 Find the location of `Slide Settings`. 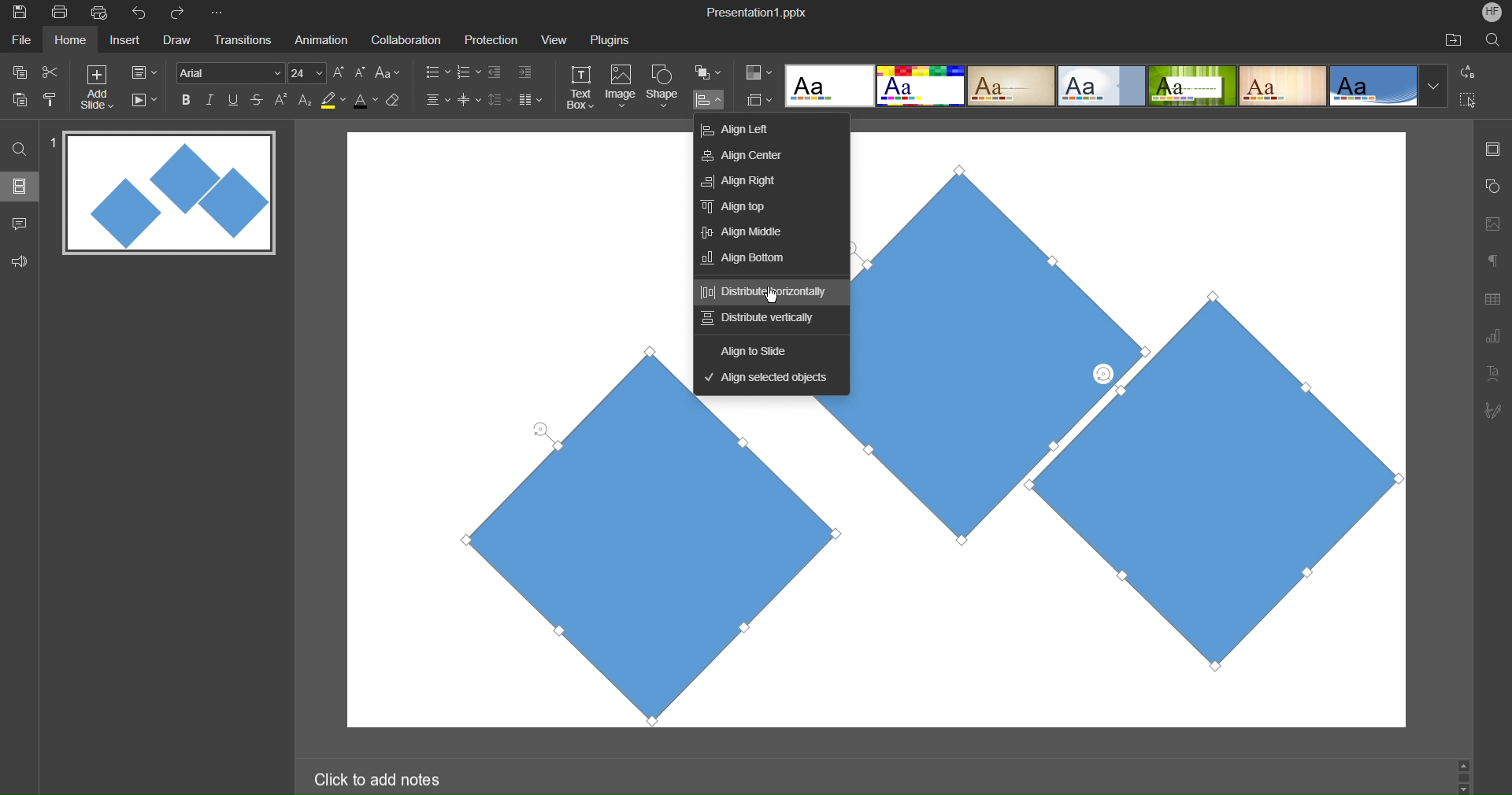

Slide Settings is located at coordinates (144, 72).